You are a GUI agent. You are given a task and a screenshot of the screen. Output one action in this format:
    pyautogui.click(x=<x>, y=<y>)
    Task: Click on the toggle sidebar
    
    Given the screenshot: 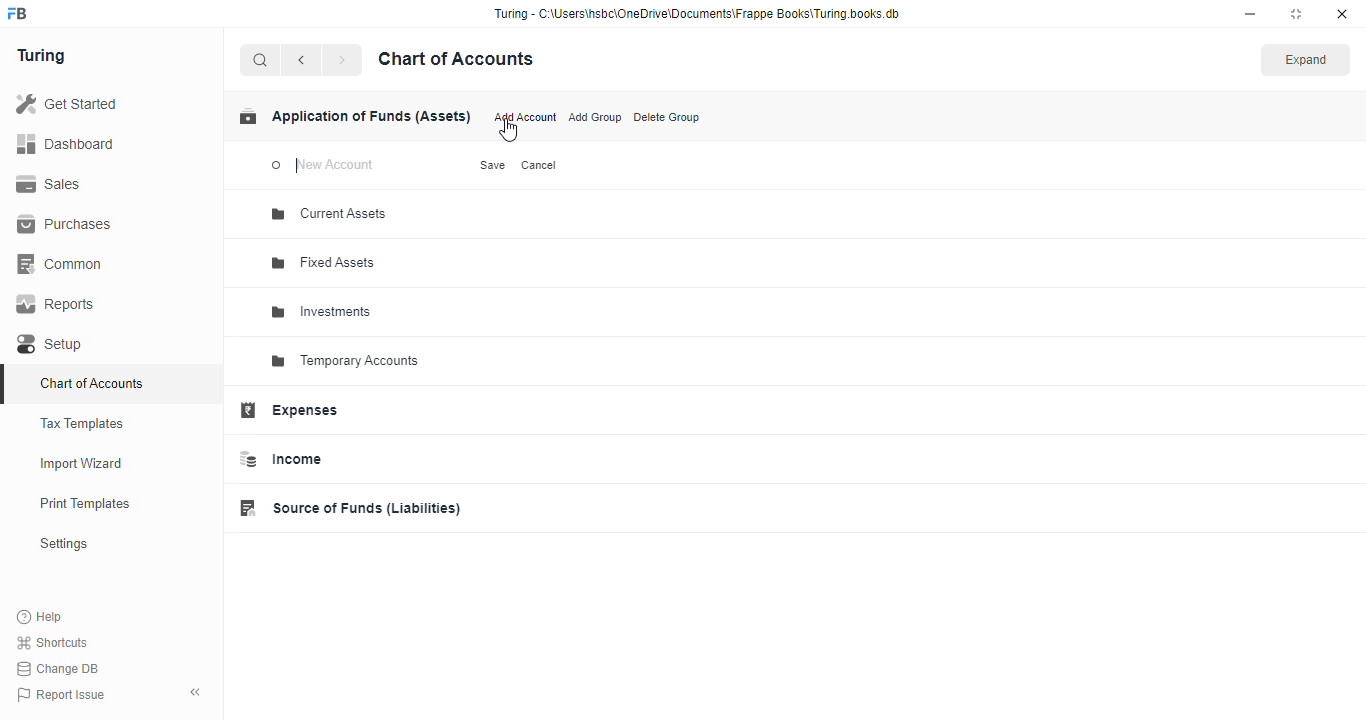 What is the action you would take?
    pyautogui.click(x=196, y=692)
    